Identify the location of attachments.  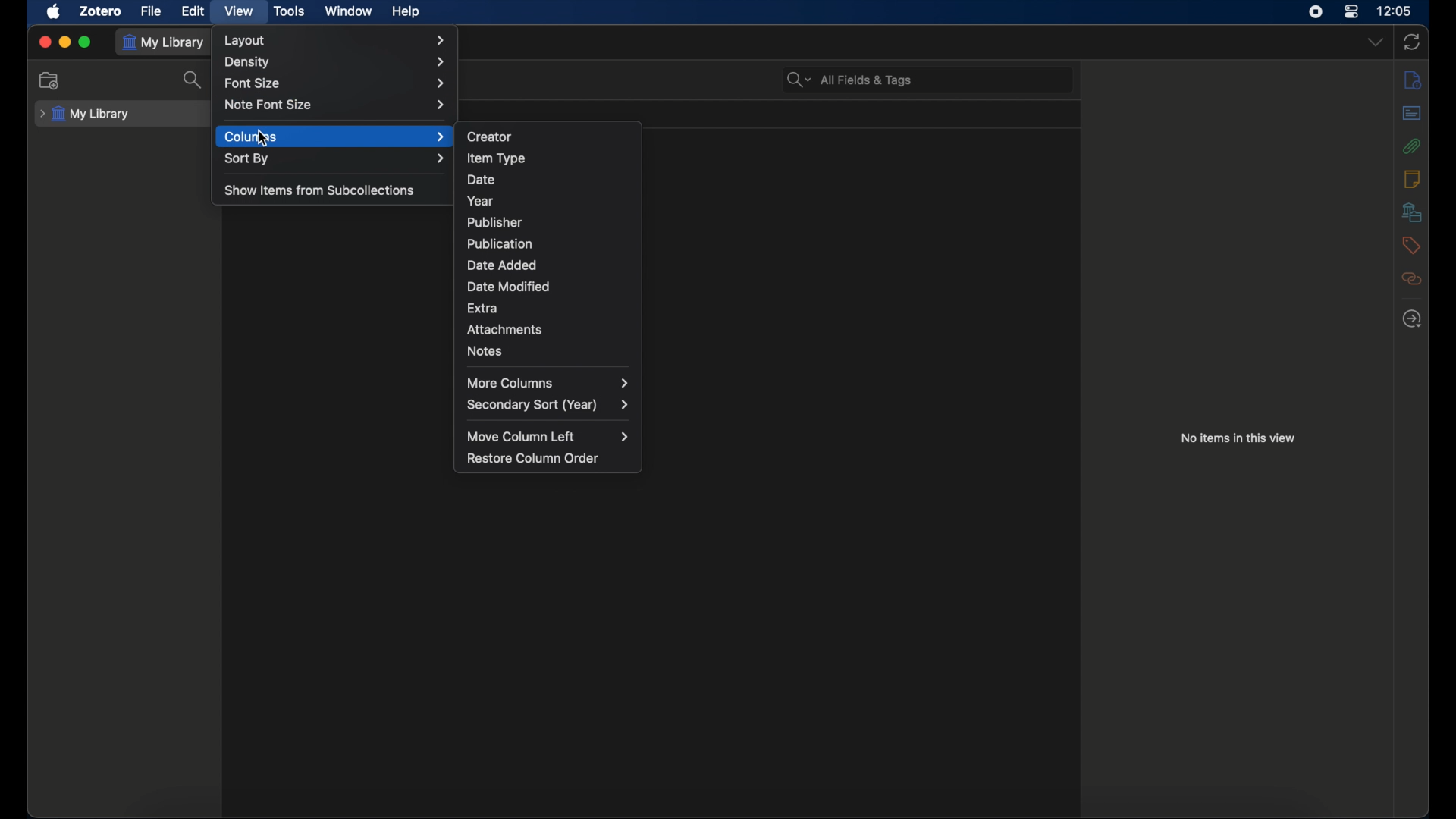
(504, 329).